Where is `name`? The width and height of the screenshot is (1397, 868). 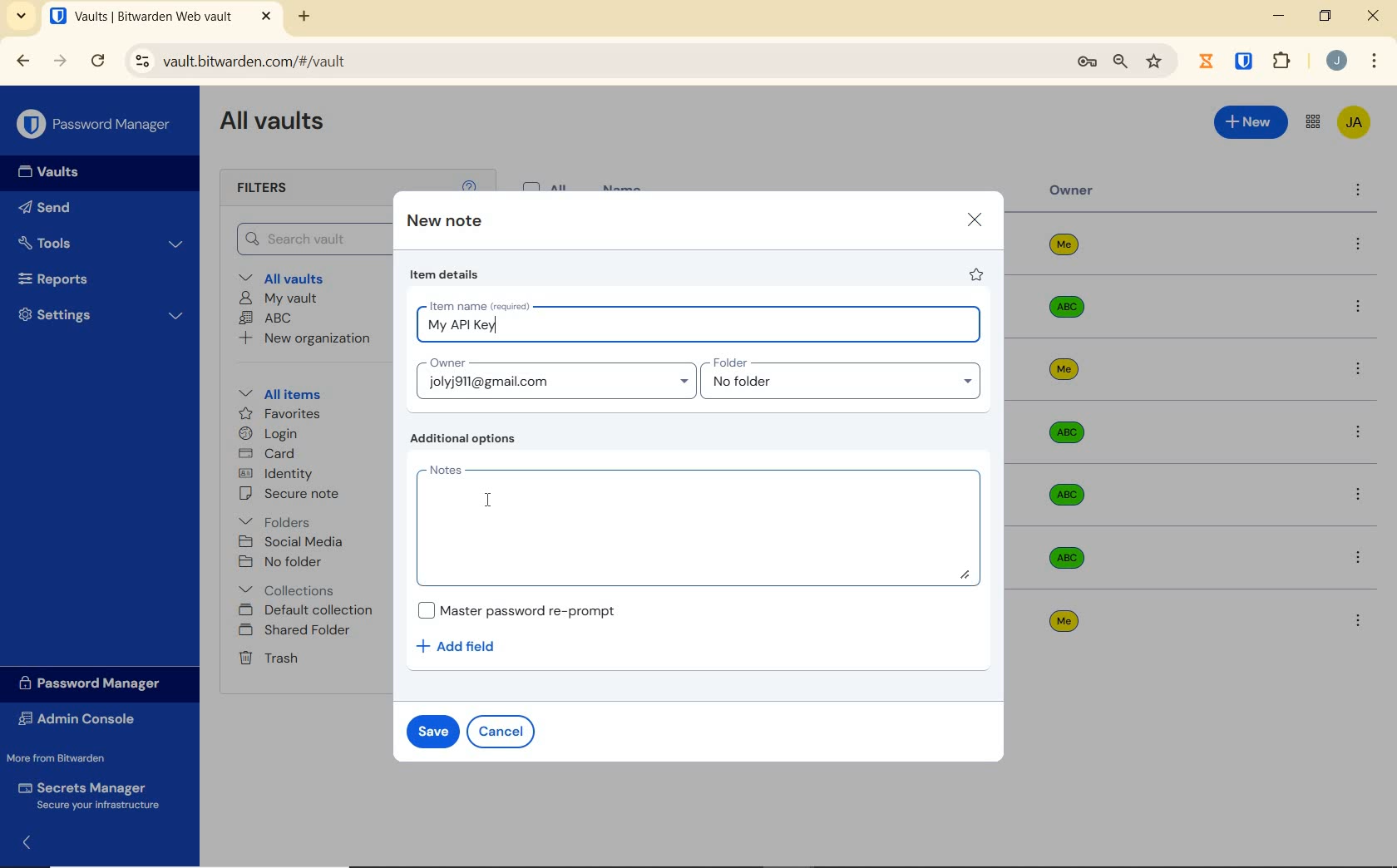 name is located at coordinates (624, 186).